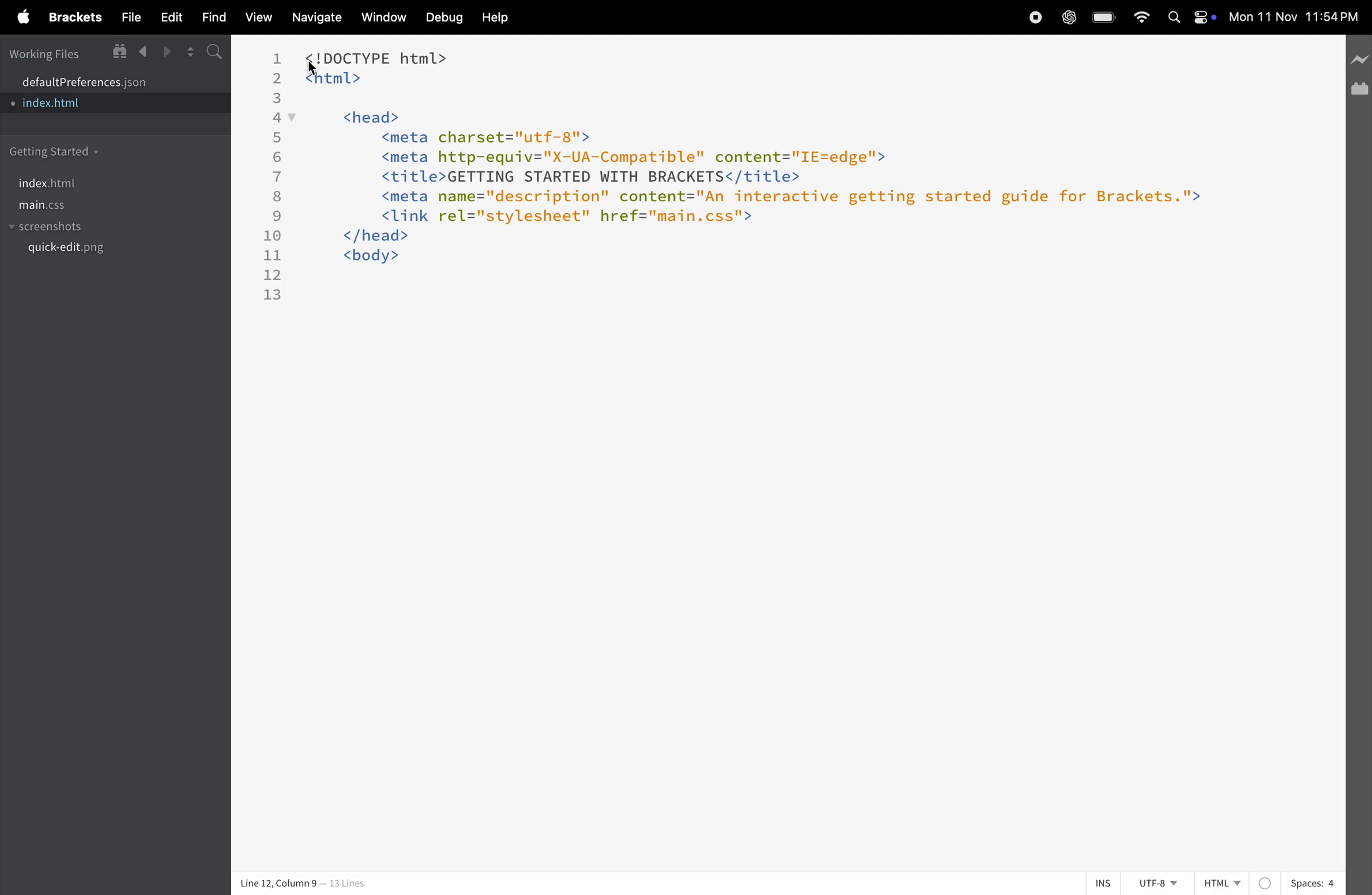  I want to click on wifi, so click(1143, 18).